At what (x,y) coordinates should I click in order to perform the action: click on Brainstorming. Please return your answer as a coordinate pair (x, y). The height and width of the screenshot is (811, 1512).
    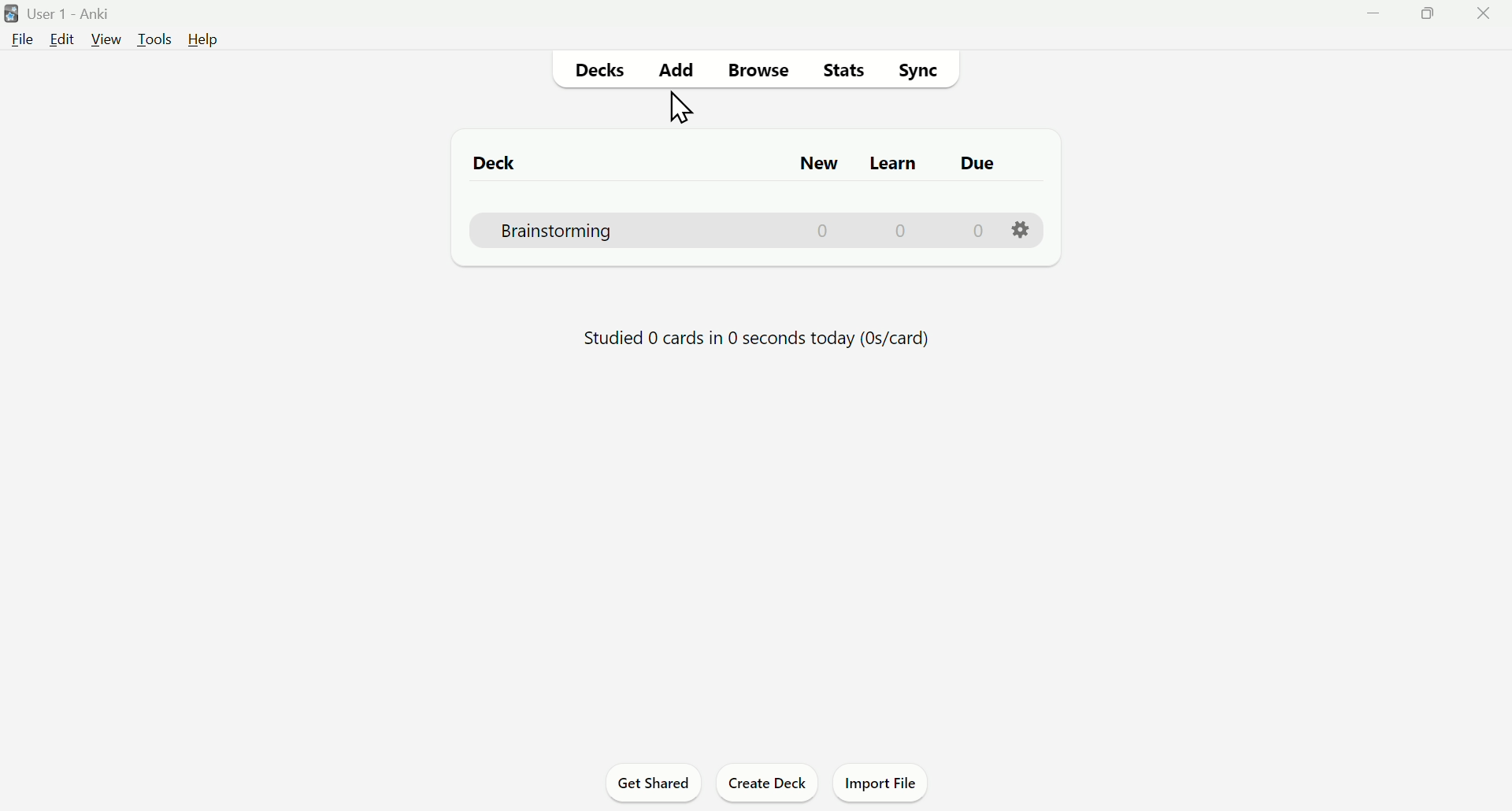
    Looking at the image, I should click on (762, 229).